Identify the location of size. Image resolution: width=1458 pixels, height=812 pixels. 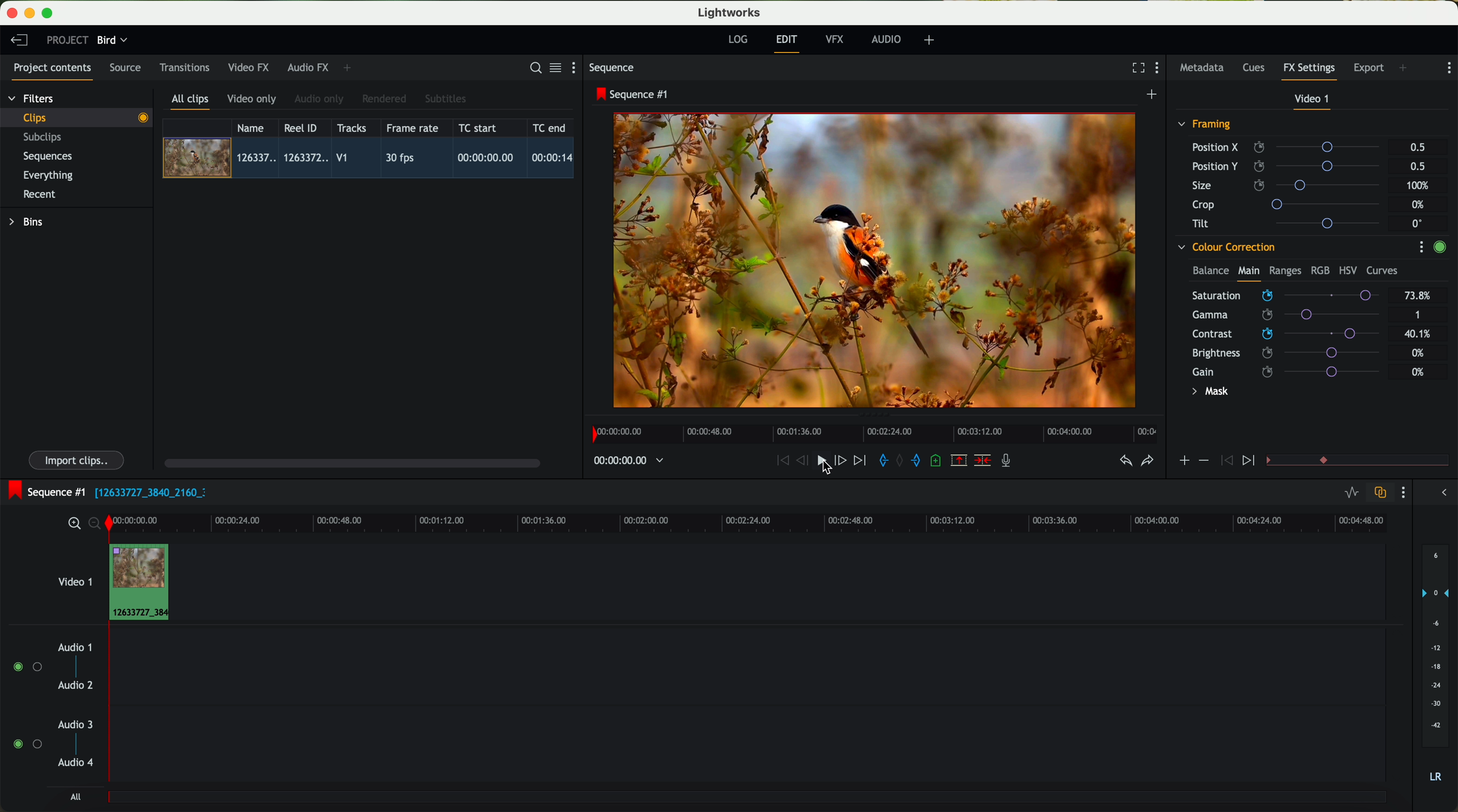
(1289, 186).